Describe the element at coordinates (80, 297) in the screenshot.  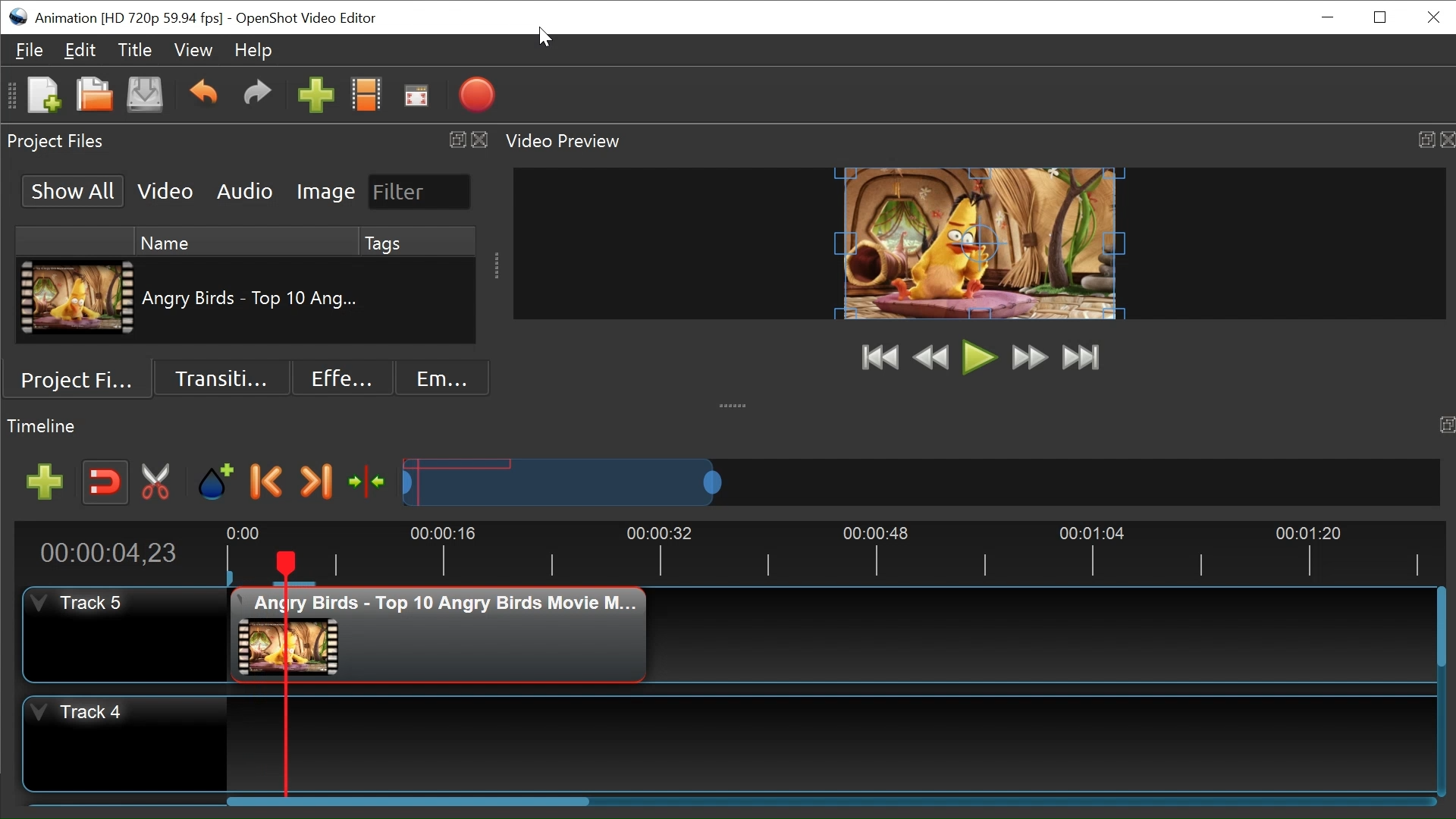
I see `Clip` at that location.